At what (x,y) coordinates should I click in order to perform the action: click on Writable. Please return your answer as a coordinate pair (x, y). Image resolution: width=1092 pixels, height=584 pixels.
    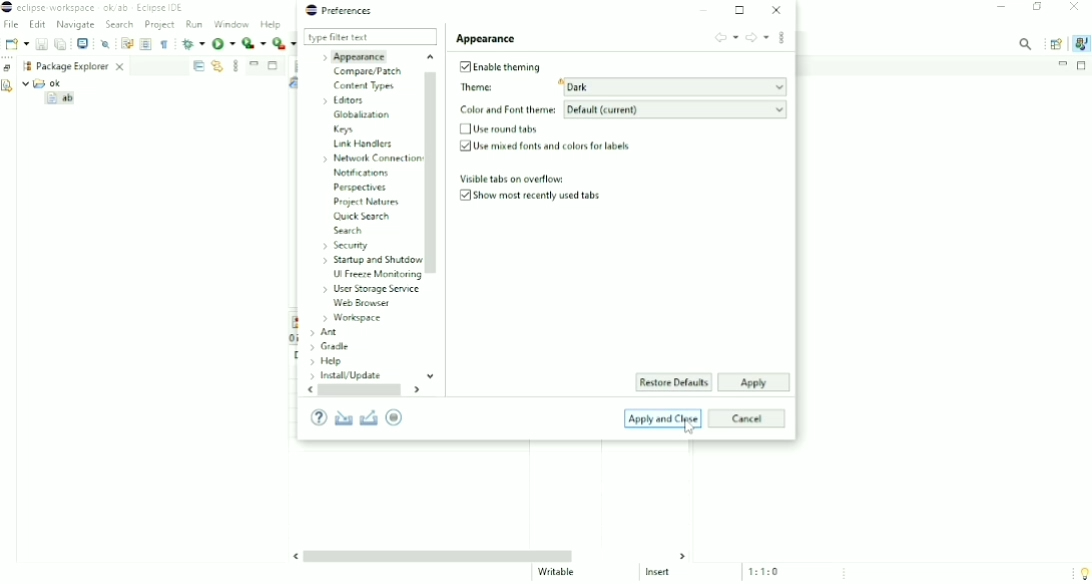
    Looking at the image, I should click on (558, 572).